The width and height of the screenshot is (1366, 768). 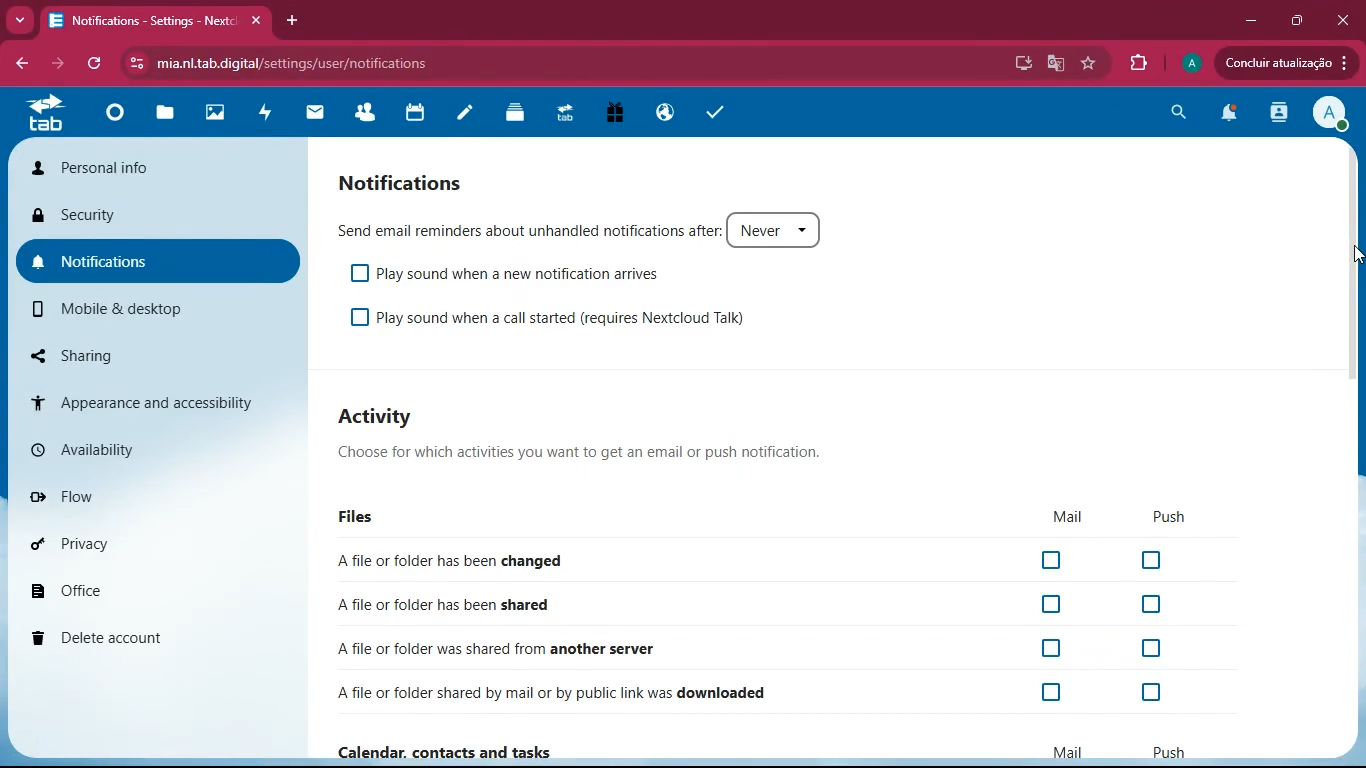 I want to click on file downloaded, so click(x=542, y=693).